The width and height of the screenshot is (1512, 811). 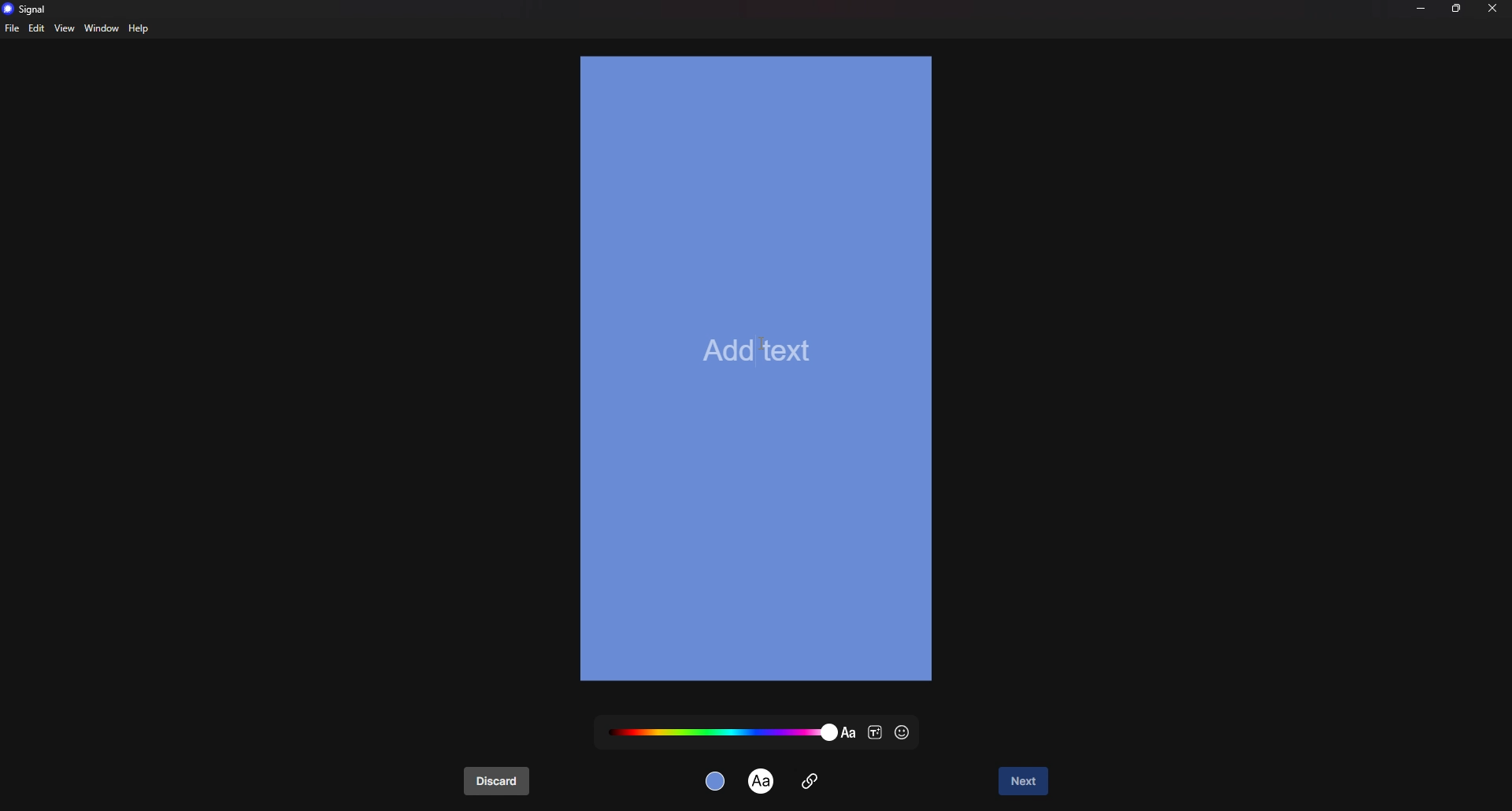 I want to click on input text, so click(x=776, y=346).